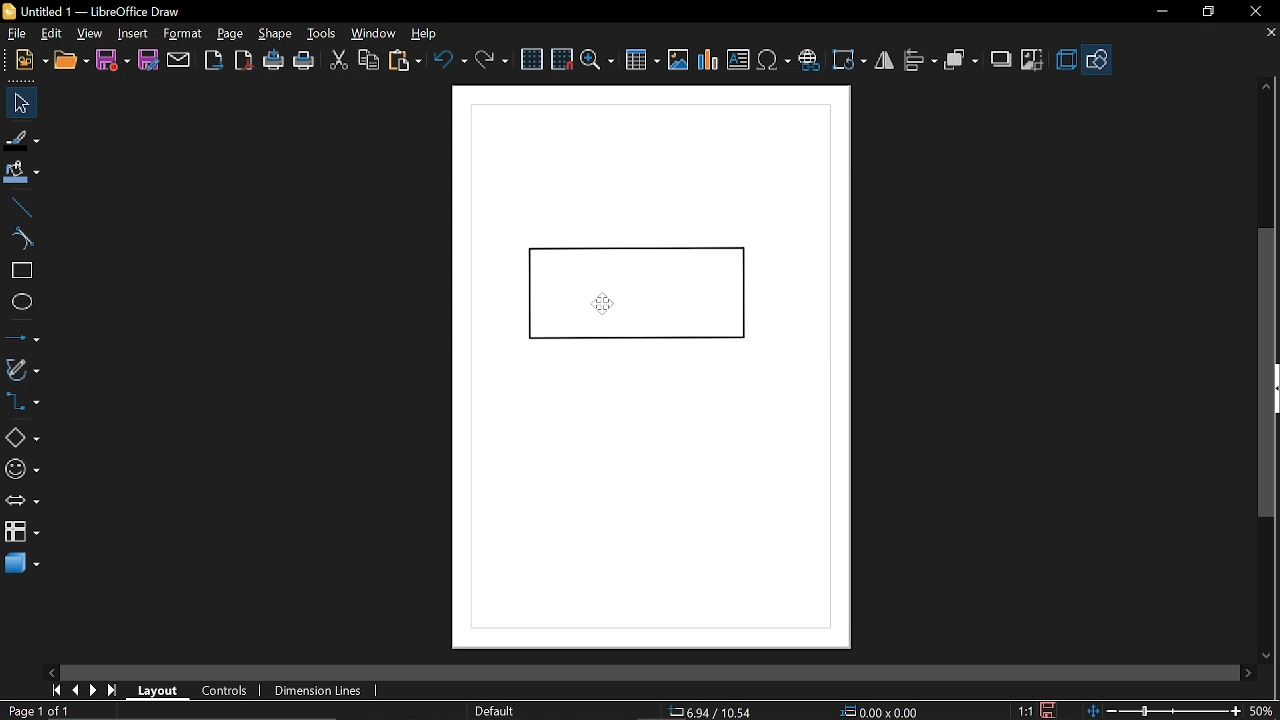  What do you see at coordinates (1054, 710) in the screenshot?
I see `save` at bounding box center [1054, 710].